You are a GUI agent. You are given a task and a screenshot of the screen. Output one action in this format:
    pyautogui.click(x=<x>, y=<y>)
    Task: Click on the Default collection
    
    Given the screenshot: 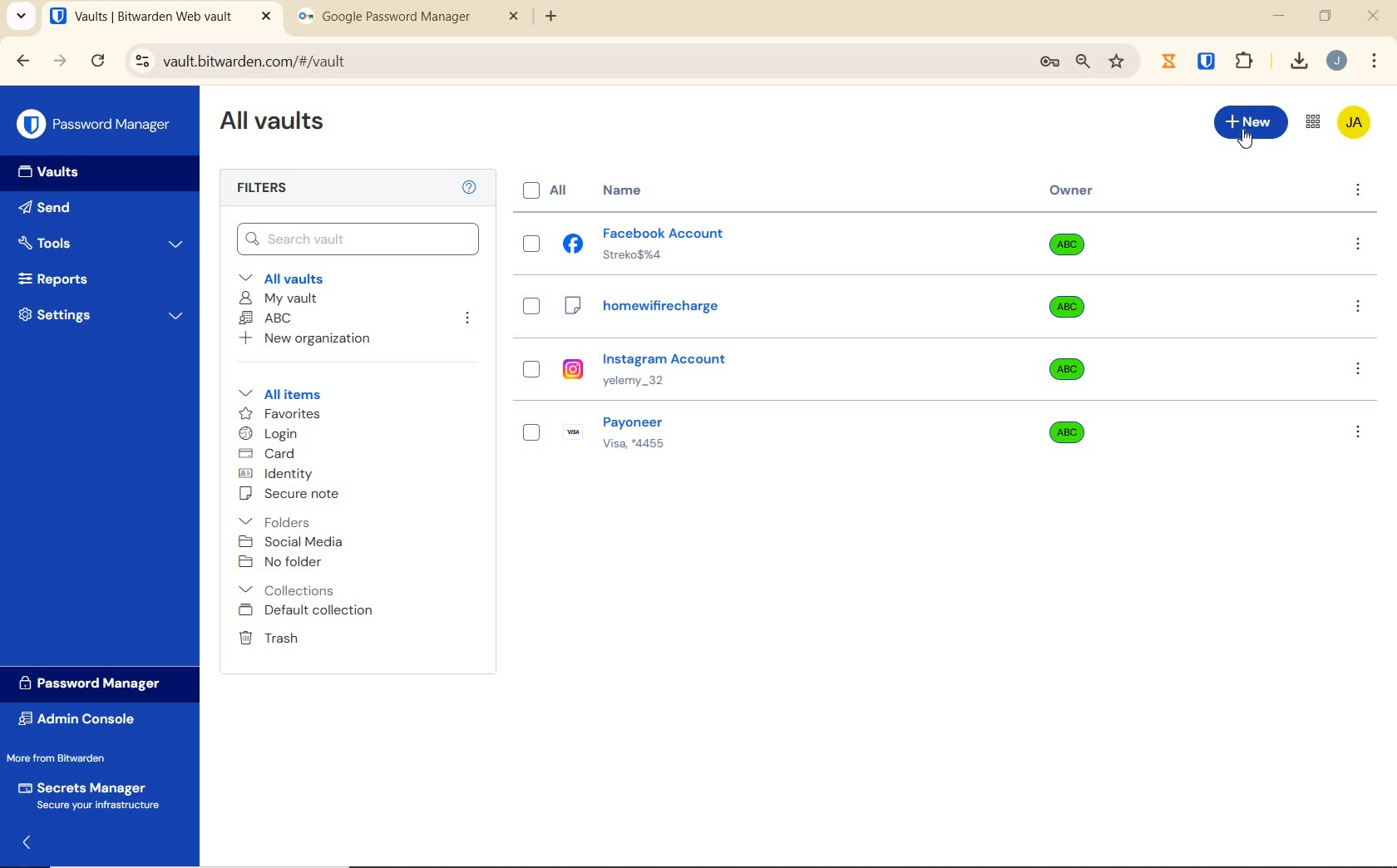 What is the action you would take?
    pyautogui.click(x=309, y=611)
    